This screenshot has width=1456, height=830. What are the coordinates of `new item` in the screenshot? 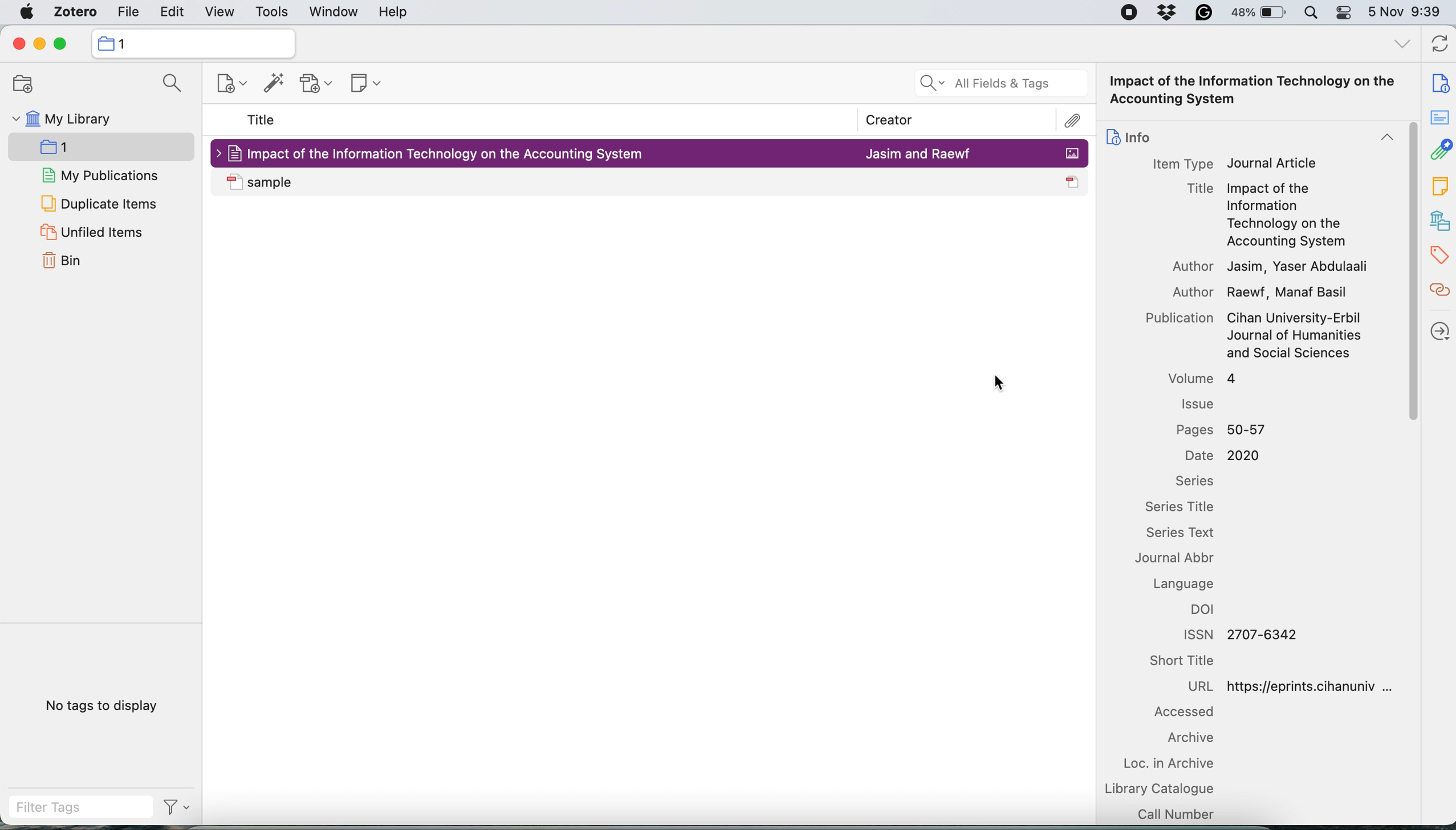 It's located at (230, 84).